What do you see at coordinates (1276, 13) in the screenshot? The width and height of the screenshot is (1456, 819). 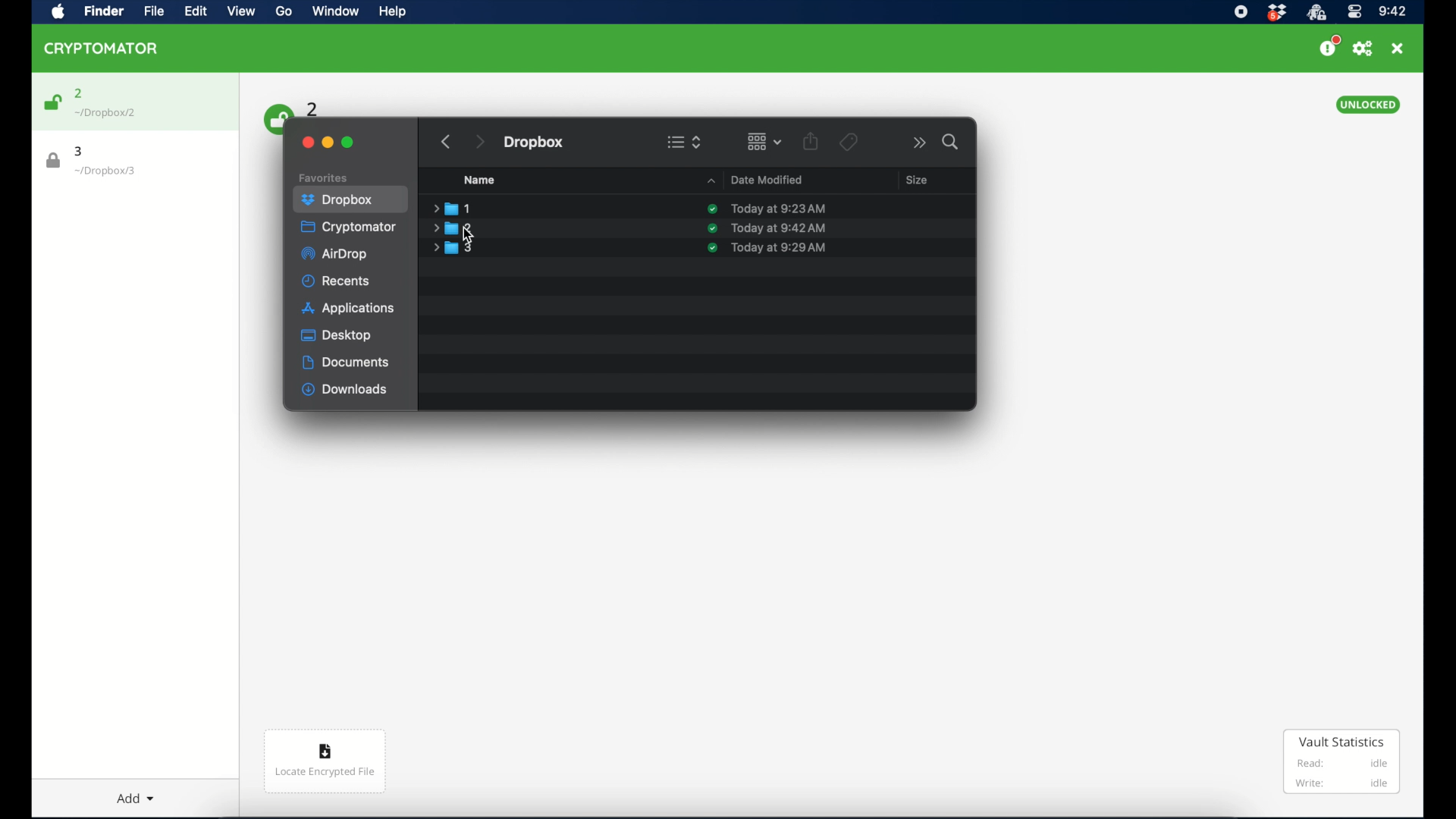 I see `dropbox icon` at bounding box center [1276, 13].